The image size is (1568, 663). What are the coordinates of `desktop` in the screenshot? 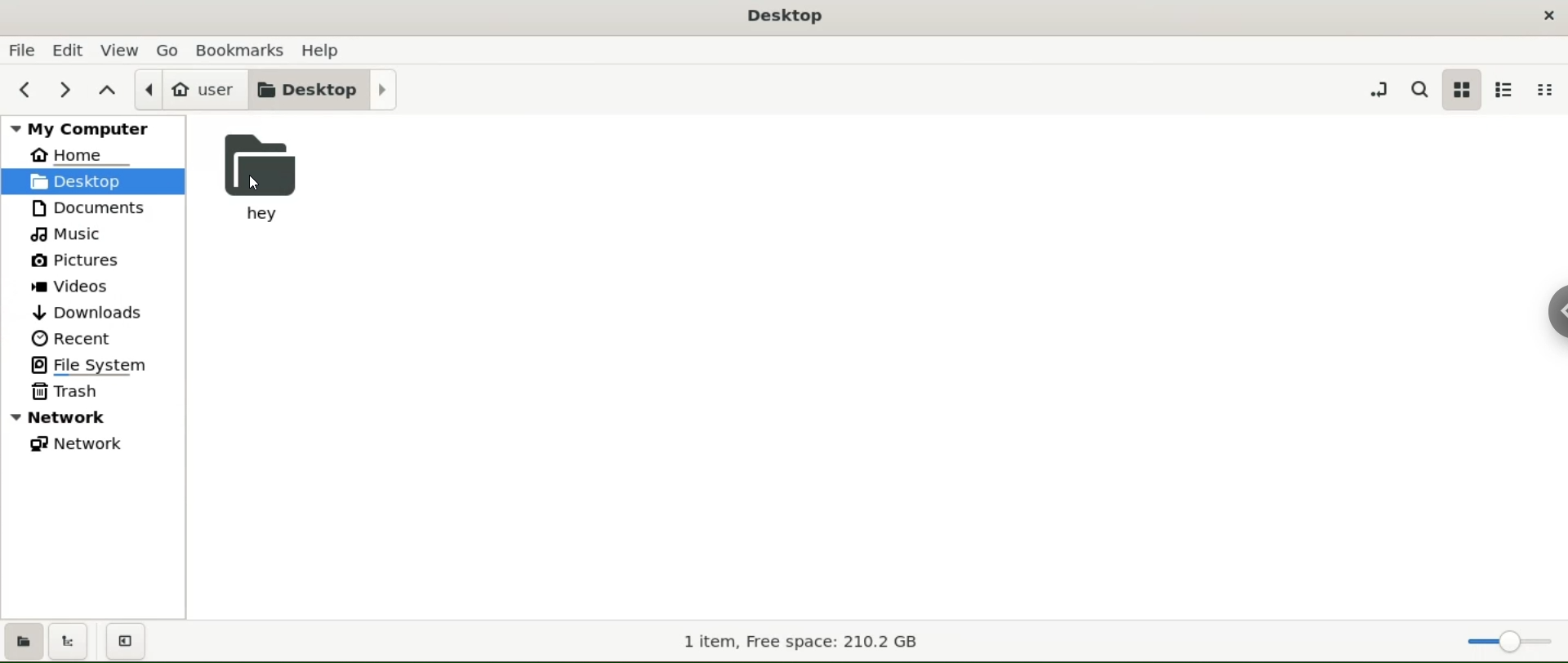 It's located at (93, 181).